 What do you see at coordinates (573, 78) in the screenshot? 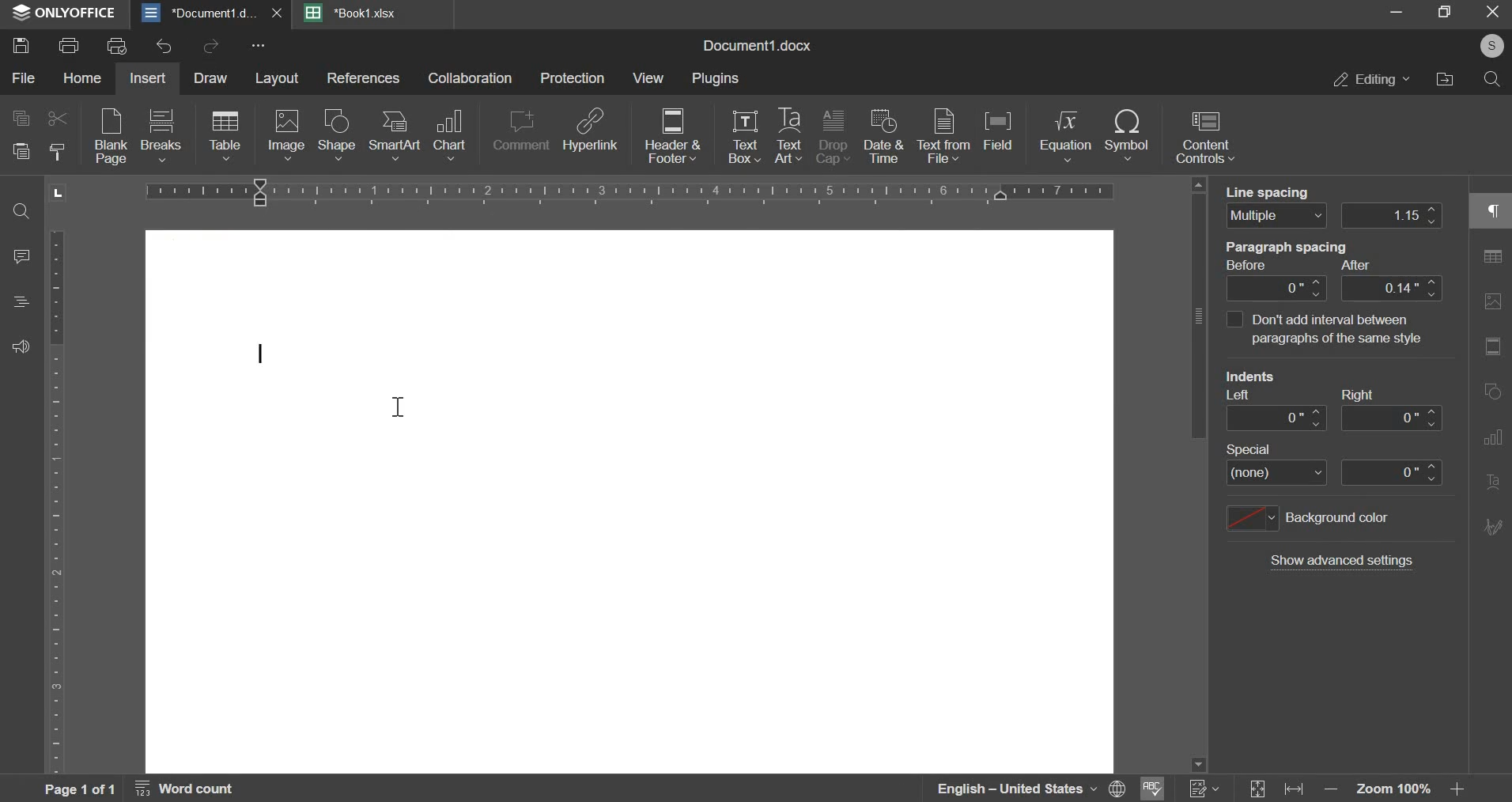
I see `protection` at bounding box center [573, 78].